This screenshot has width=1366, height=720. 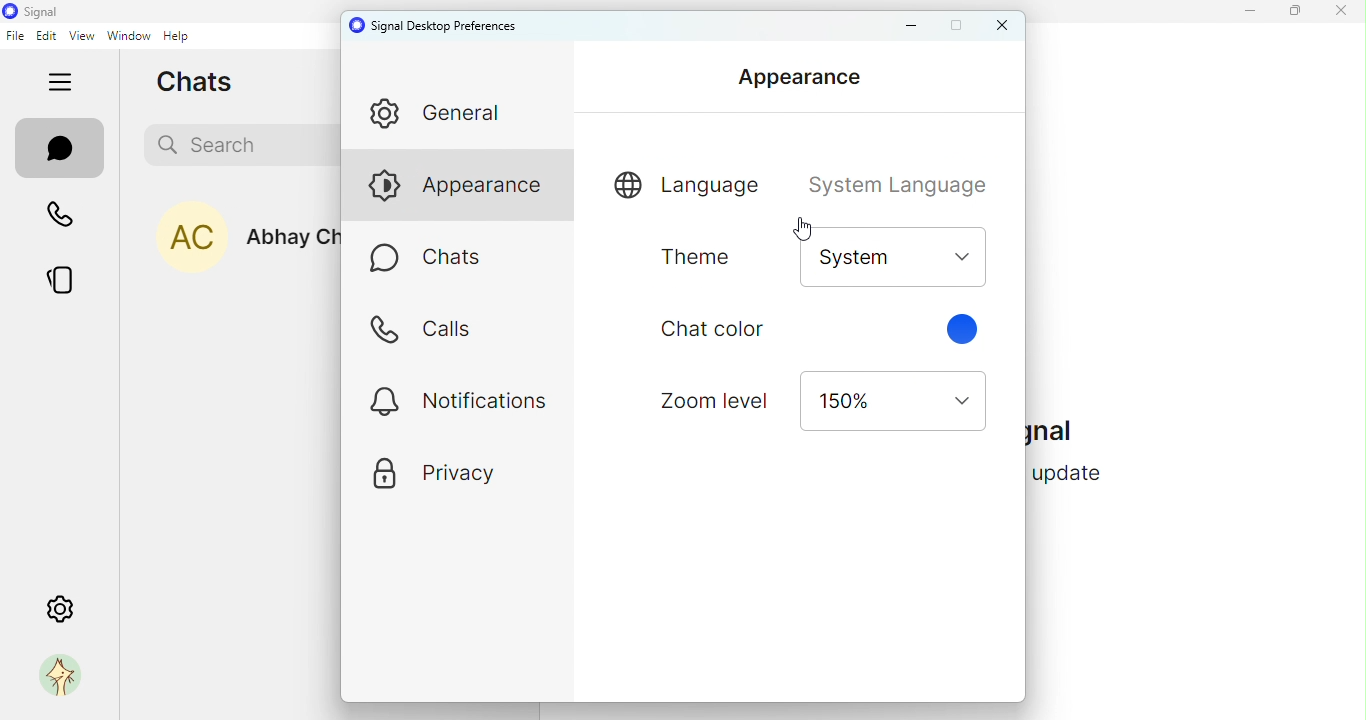 What do you see at coordinates (1001, 26) in the screenshot?
I see `close` at bounding box center [1001, 26].